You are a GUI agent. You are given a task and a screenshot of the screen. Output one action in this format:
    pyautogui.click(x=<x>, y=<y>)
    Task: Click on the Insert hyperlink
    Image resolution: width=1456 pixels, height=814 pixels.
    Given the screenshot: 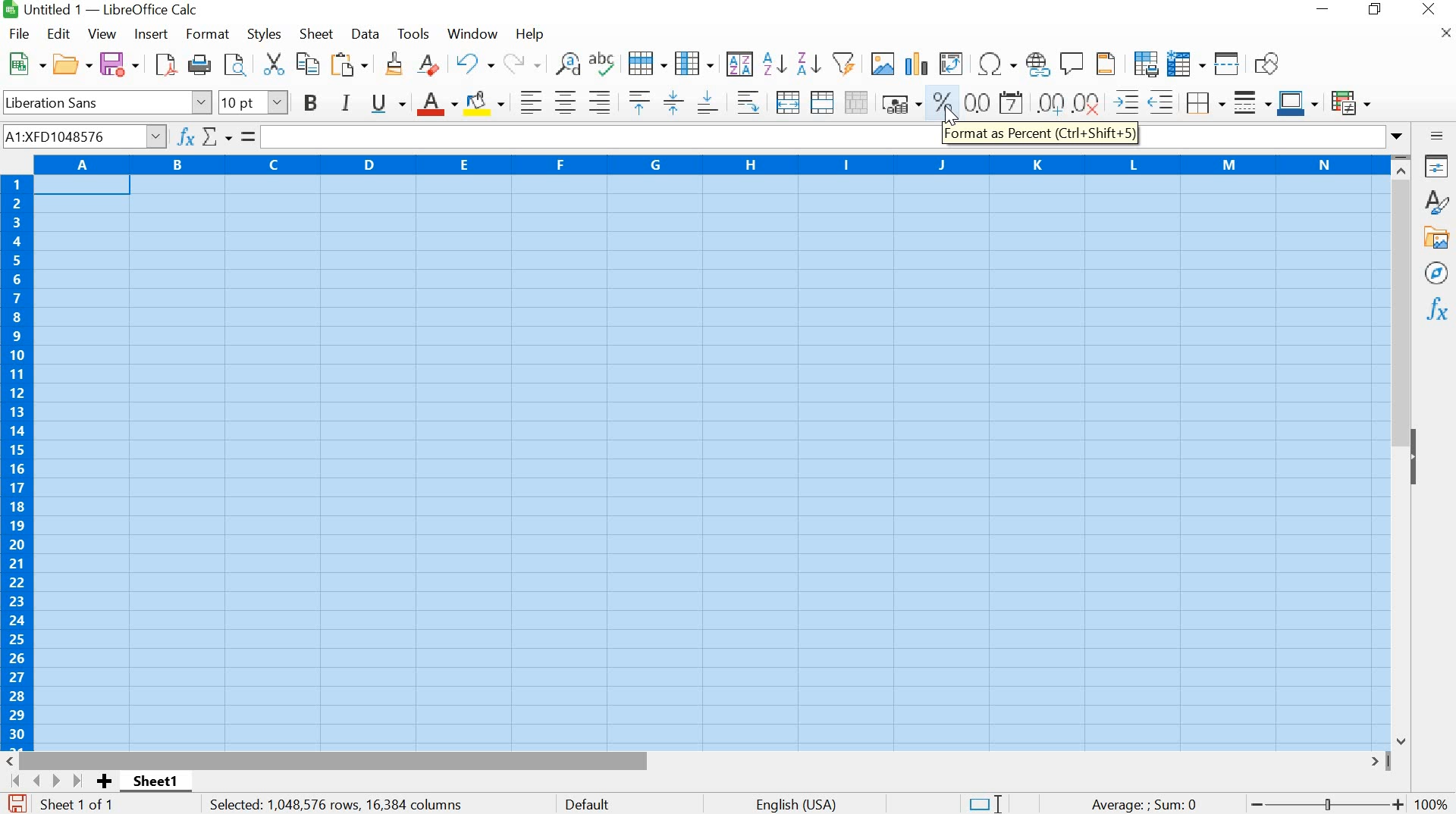 What is the action you would take?
    pyautogui.click(x=1036, y=64)
    